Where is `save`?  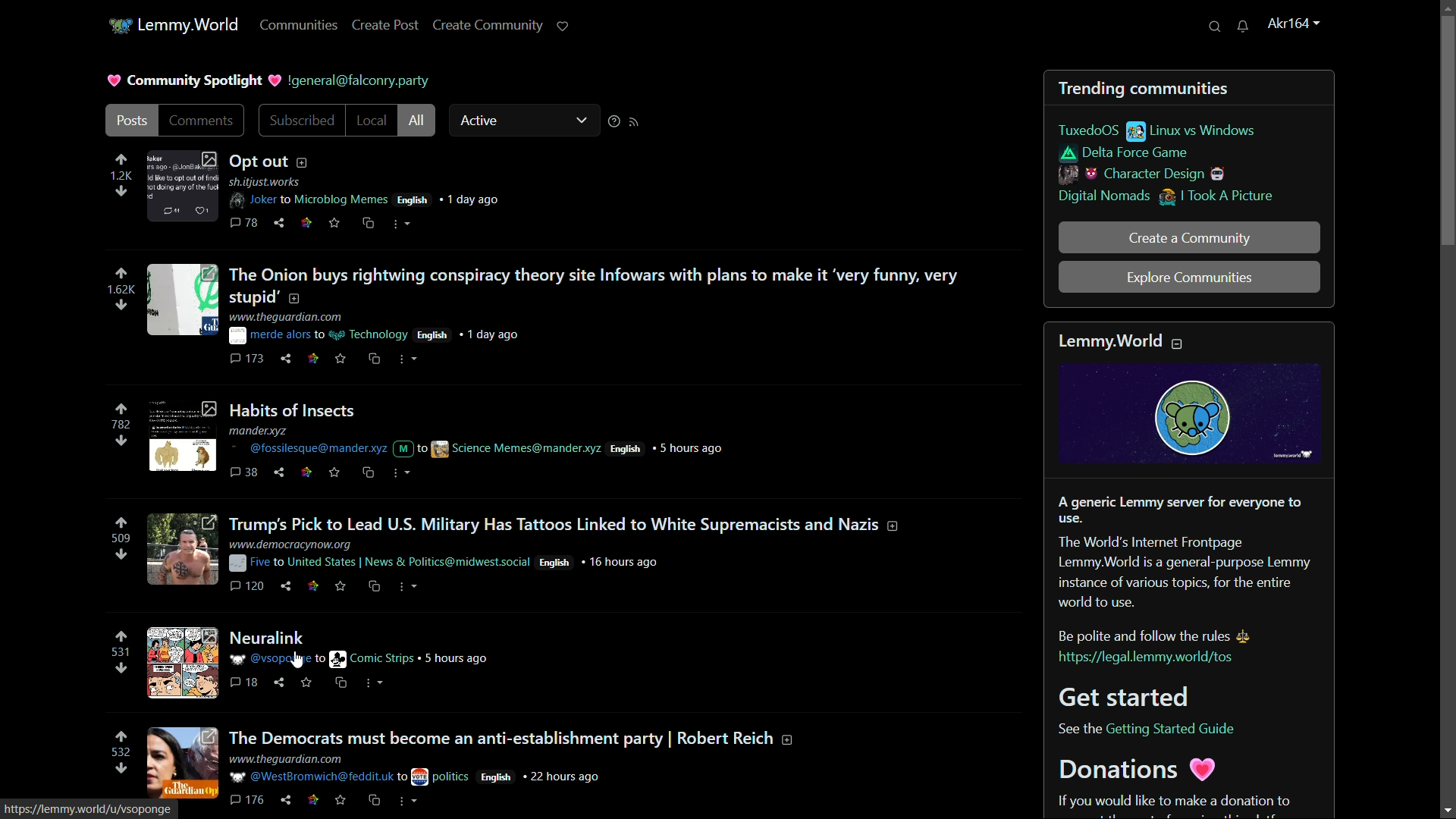 save is located at coordinates (343, 802).